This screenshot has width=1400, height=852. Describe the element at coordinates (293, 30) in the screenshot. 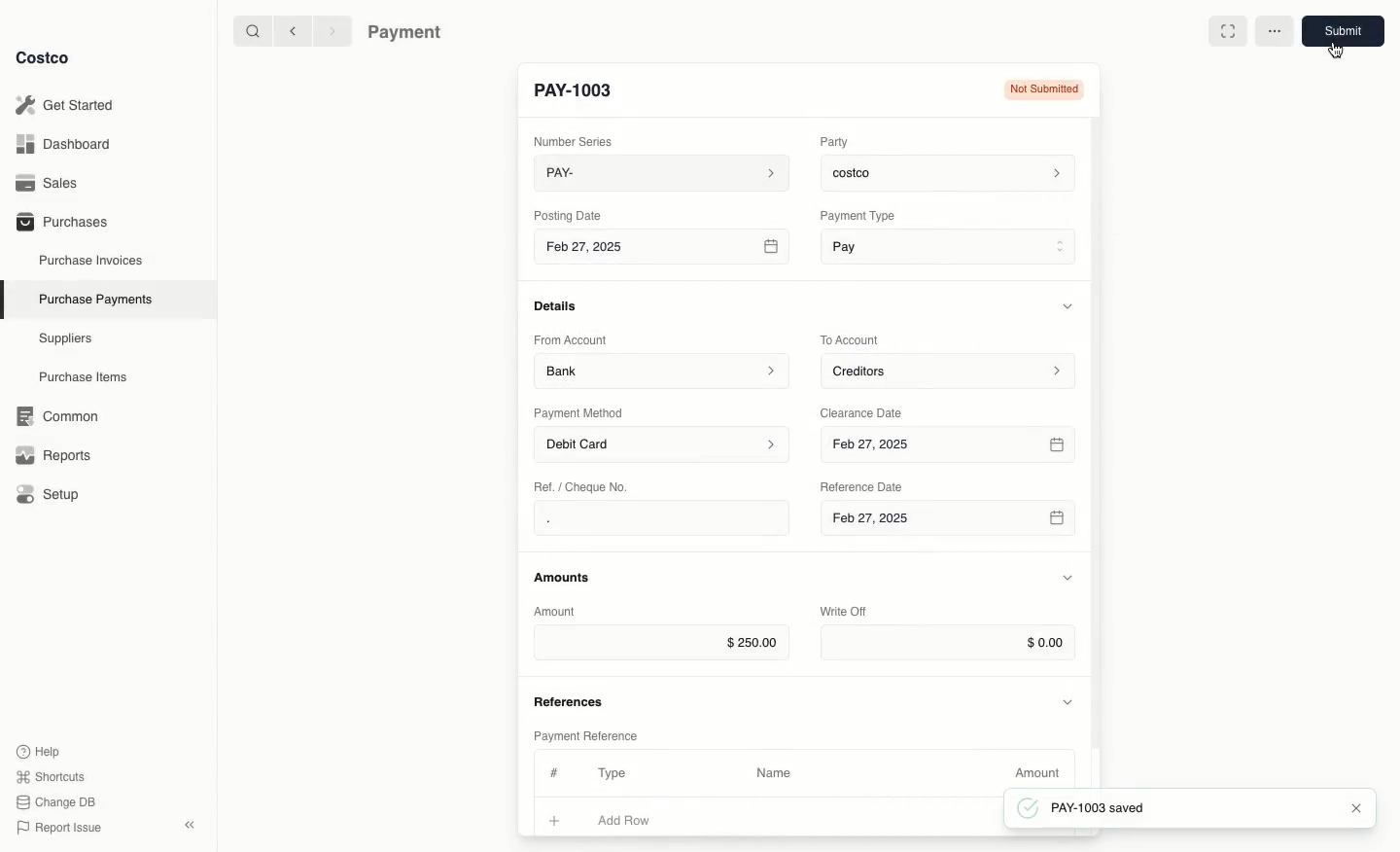

I see `Back` at that location.